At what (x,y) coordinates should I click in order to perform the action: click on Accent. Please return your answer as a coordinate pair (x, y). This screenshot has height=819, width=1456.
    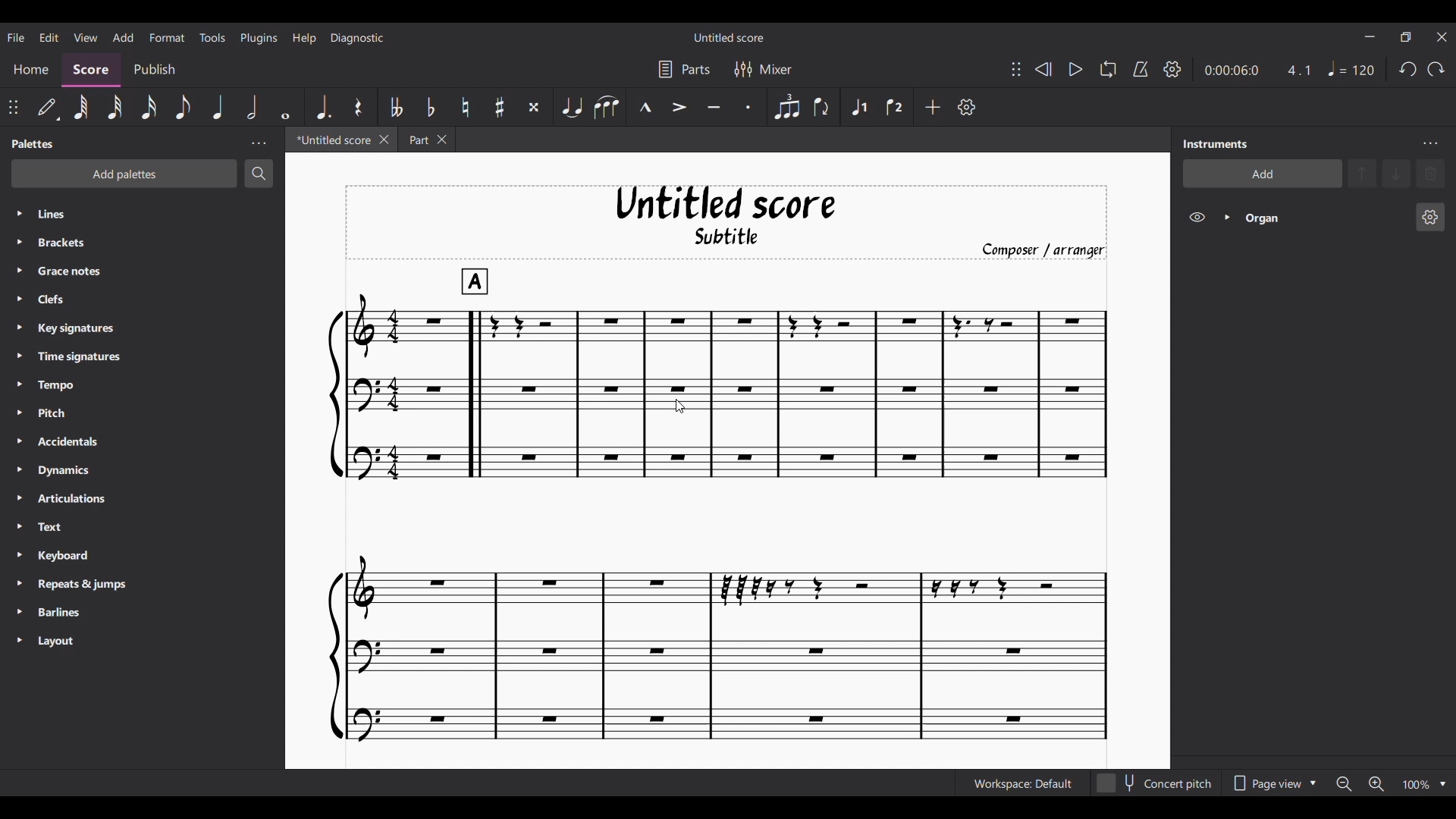
    Looking at the image, I should click on (679, 108).